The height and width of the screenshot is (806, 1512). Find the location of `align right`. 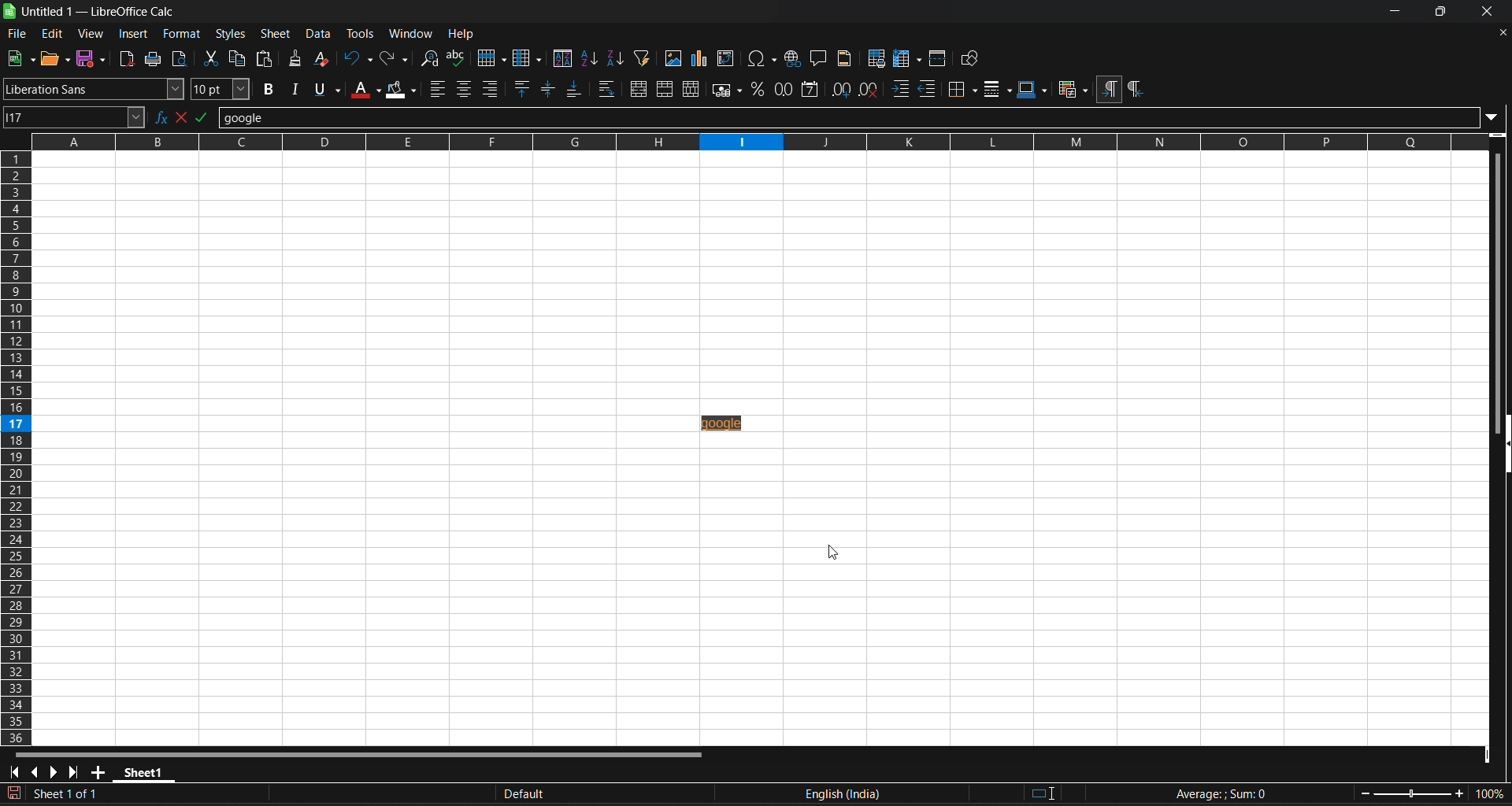

align right is located at coordinates (491, 89).